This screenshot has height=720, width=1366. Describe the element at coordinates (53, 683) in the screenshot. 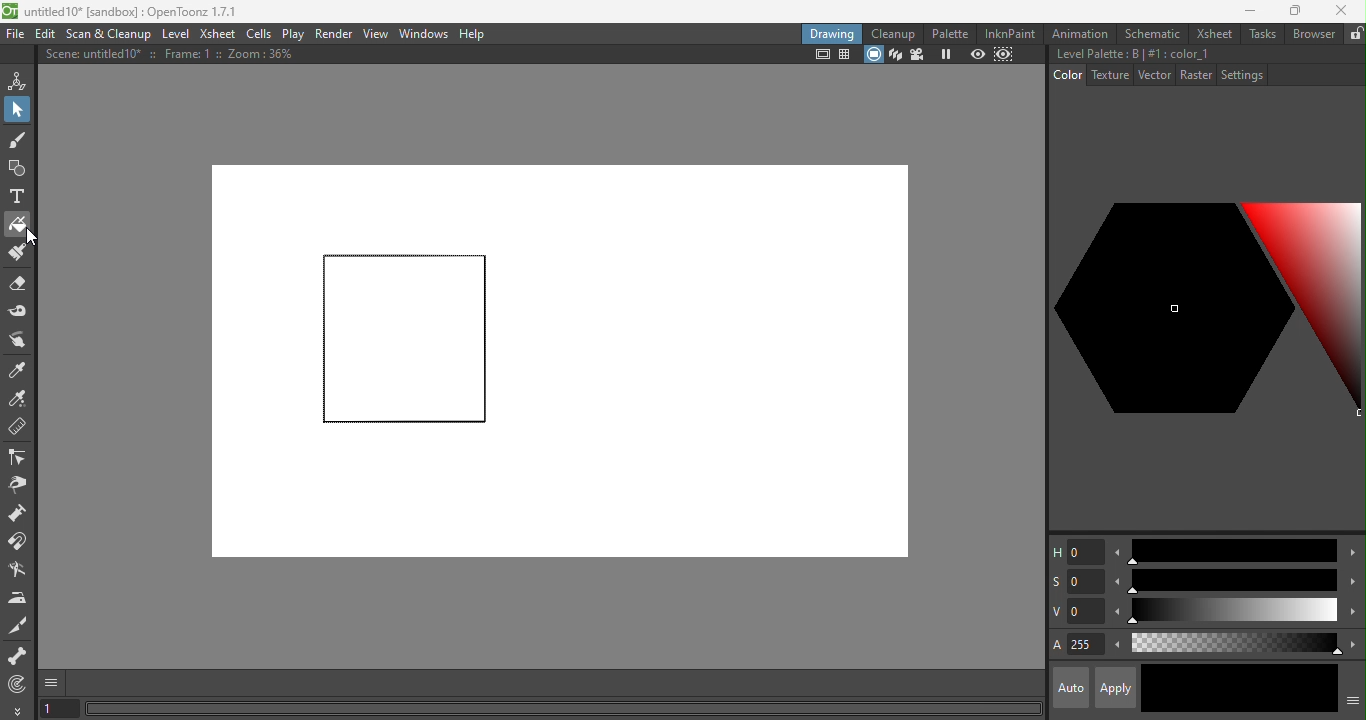

I see `GUI show/hide` at that location.